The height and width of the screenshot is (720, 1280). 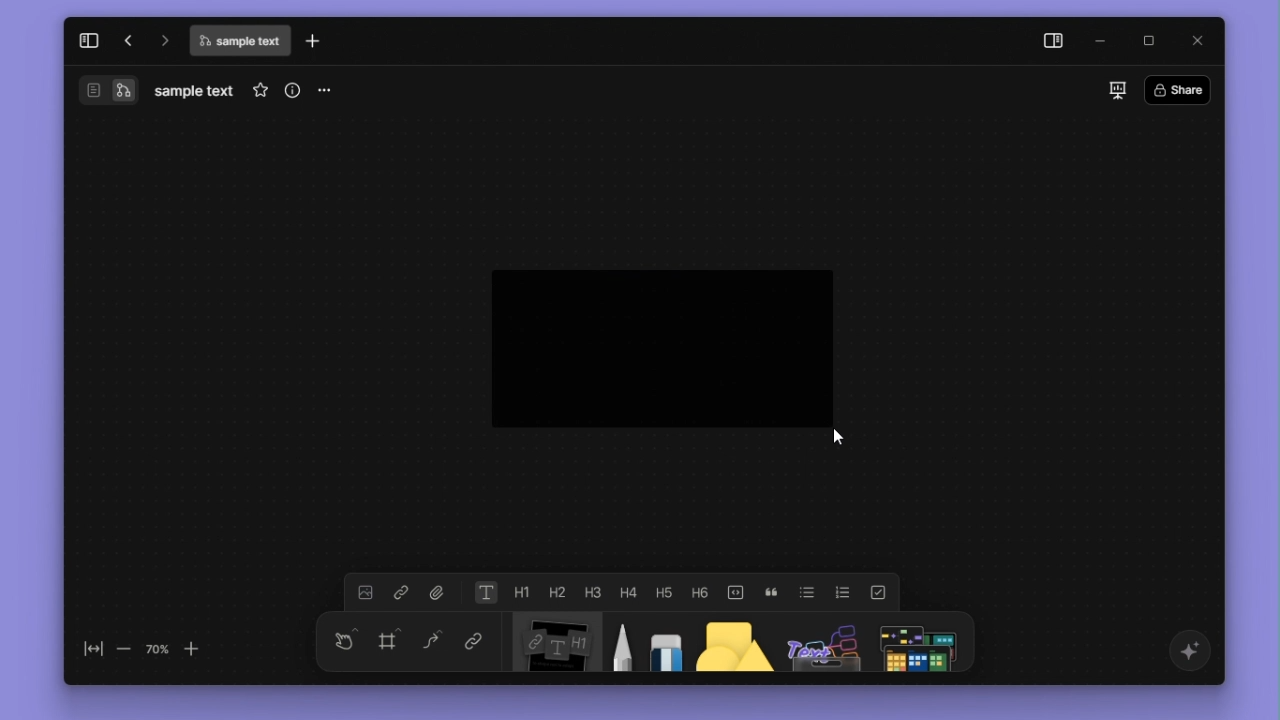 I want to click on Zoom in, so click(x=202, y=648).